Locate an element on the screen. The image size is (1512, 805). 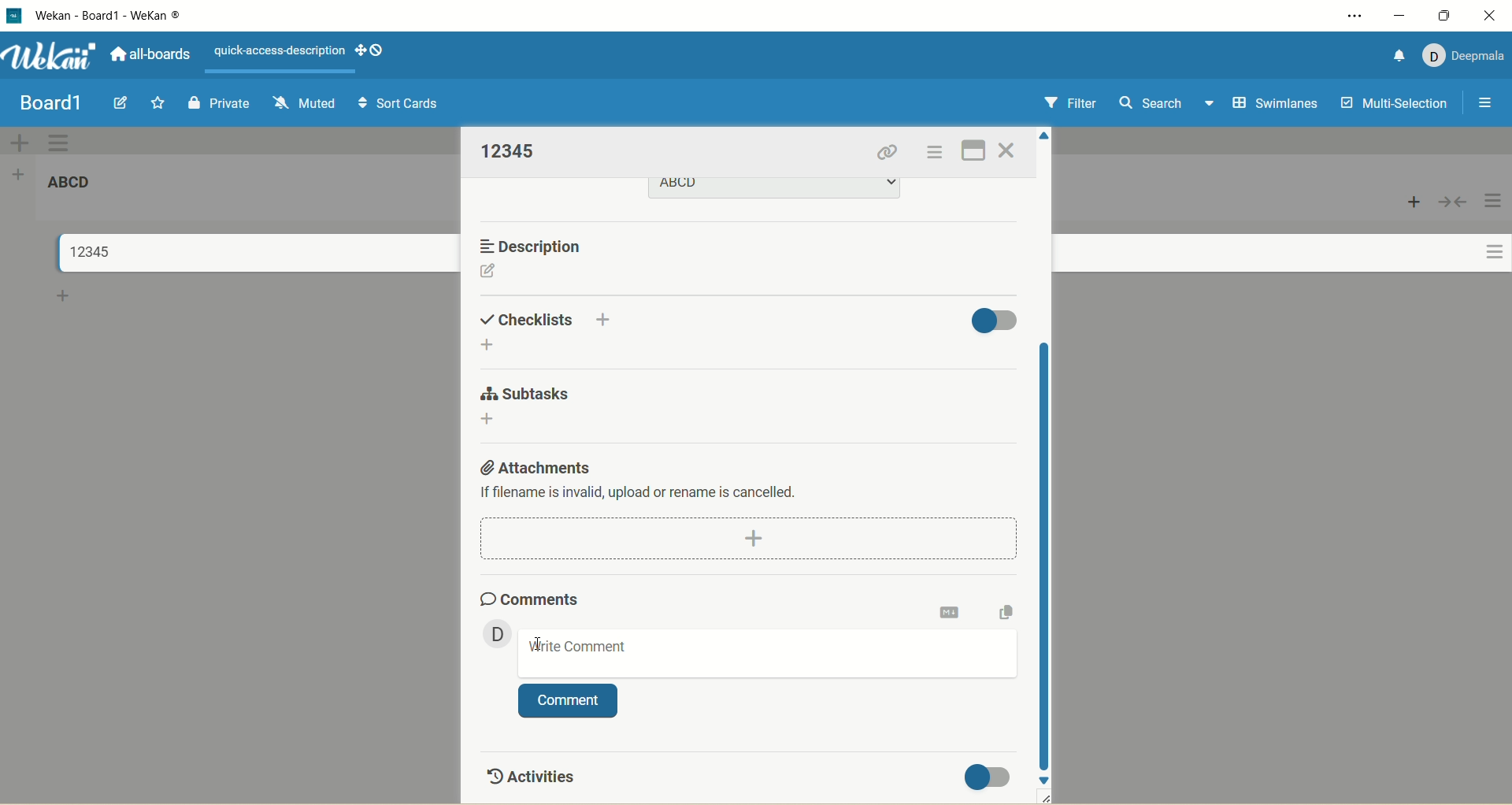
markdown is located at coordinates (951, 610).